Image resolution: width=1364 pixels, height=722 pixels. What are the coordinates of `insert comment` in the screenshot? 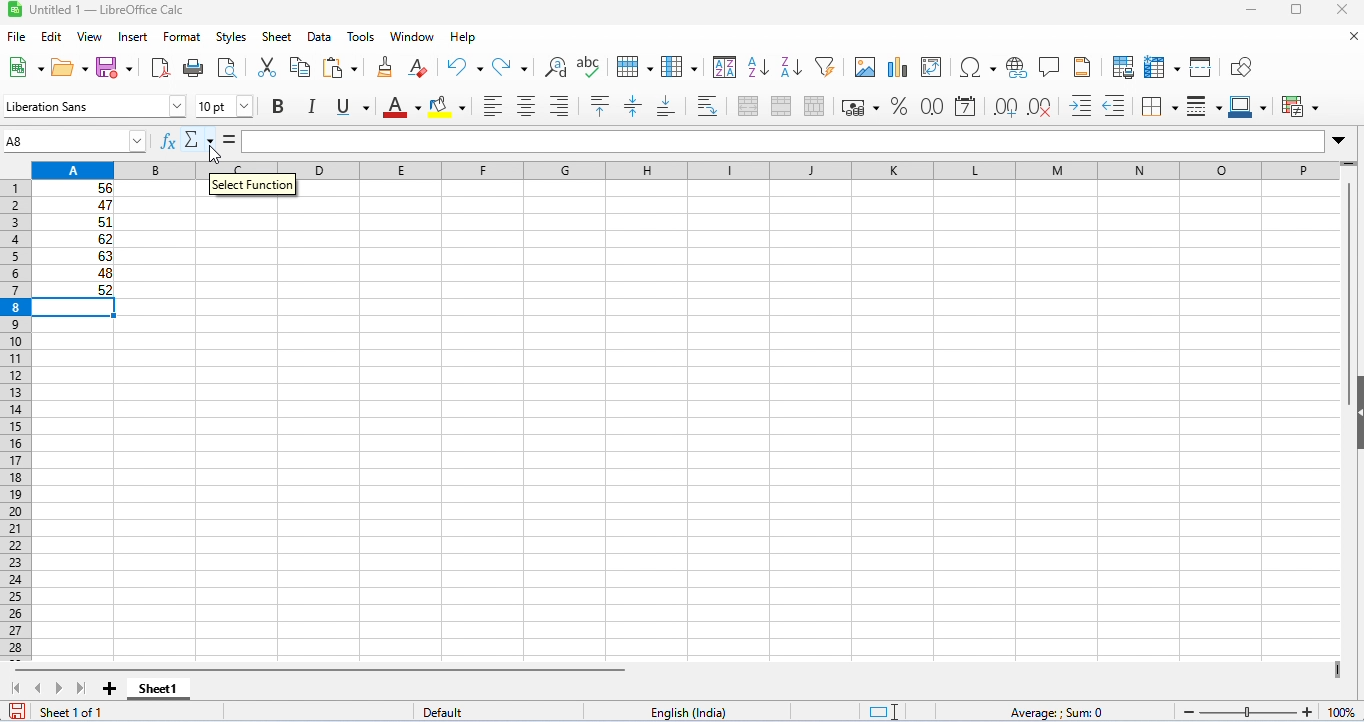 It's located at (1050, 67).